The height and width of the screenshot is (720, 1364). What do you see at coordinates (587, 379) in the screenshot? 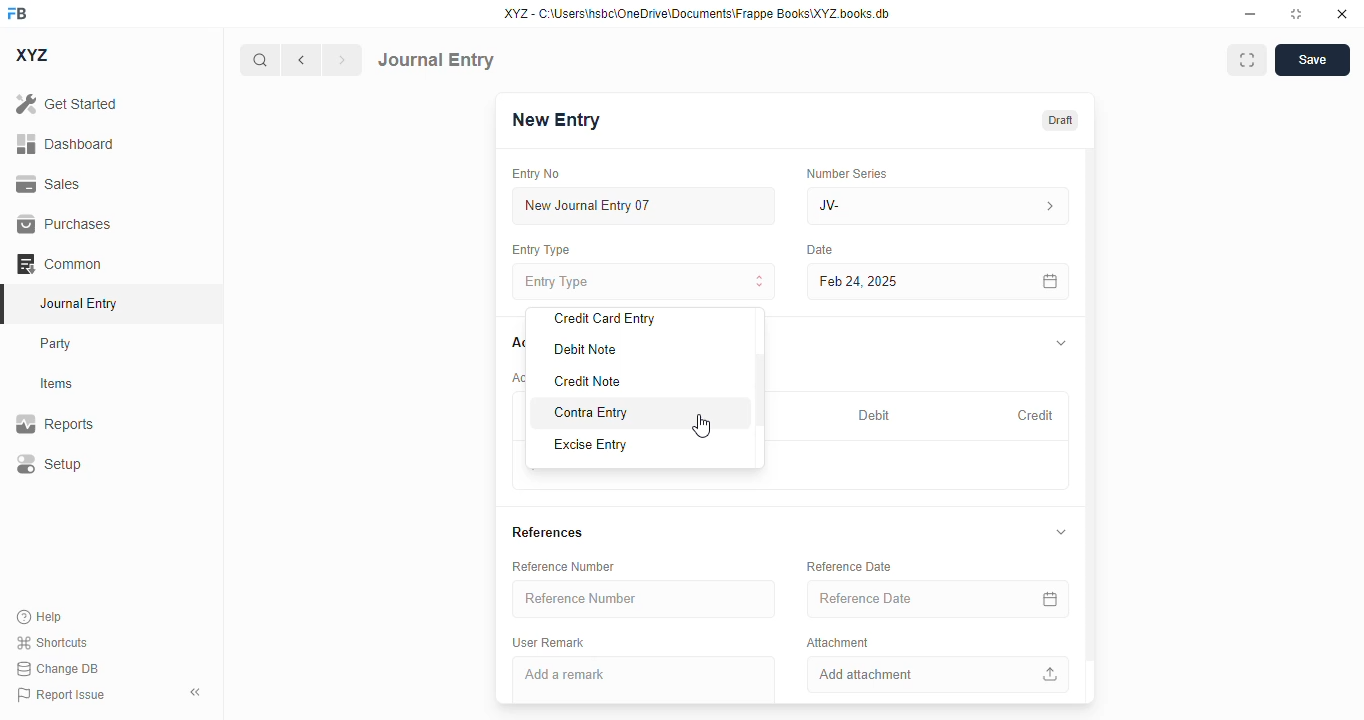
I see `credit note` at bounding box center [587, 379].